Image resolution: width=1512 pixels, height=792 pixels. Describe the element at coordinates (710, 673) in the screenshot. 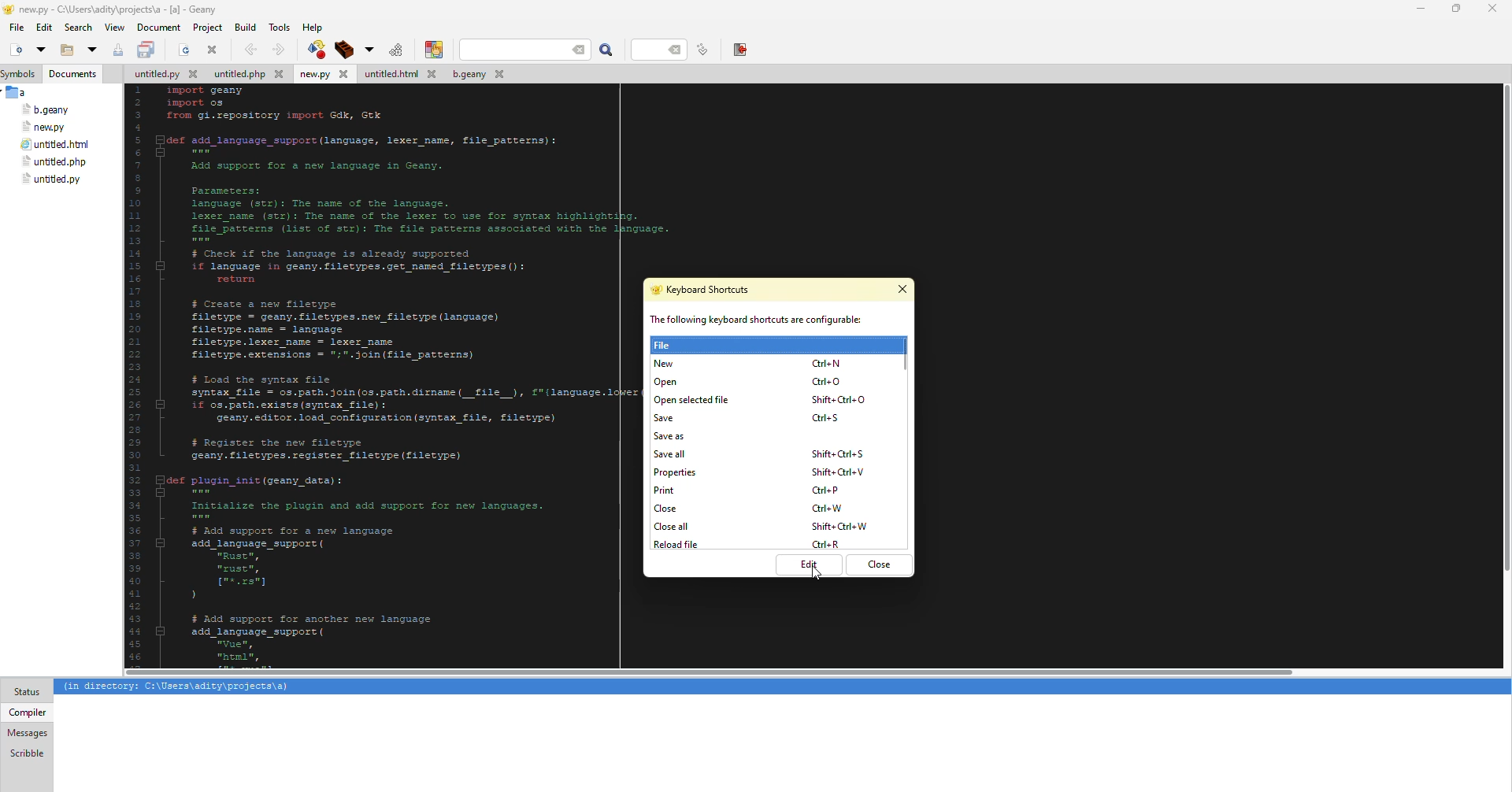

I see `scroll bar` at that location.